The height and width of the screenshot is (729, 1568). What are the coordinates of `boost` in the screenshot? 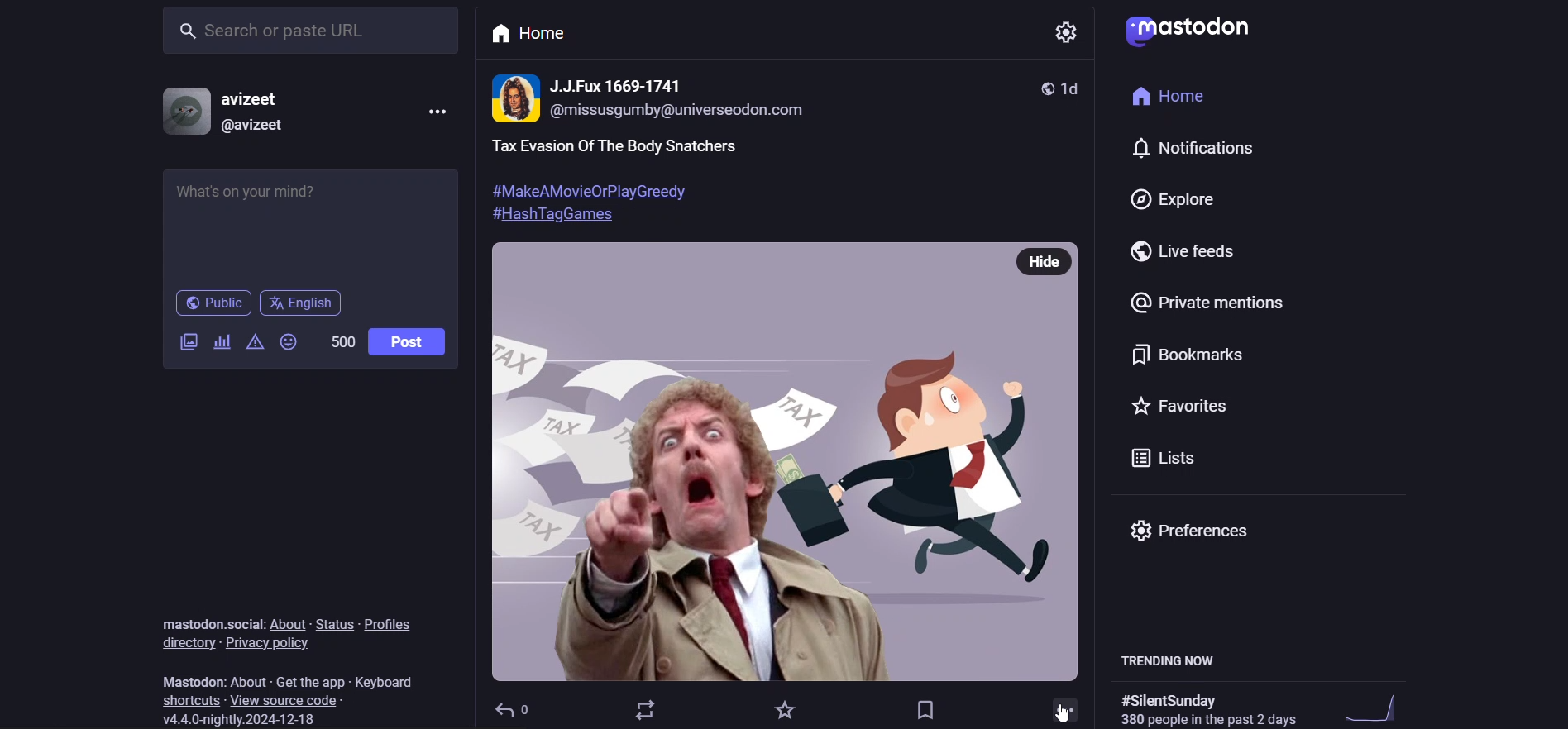 It's located at (643, 712).